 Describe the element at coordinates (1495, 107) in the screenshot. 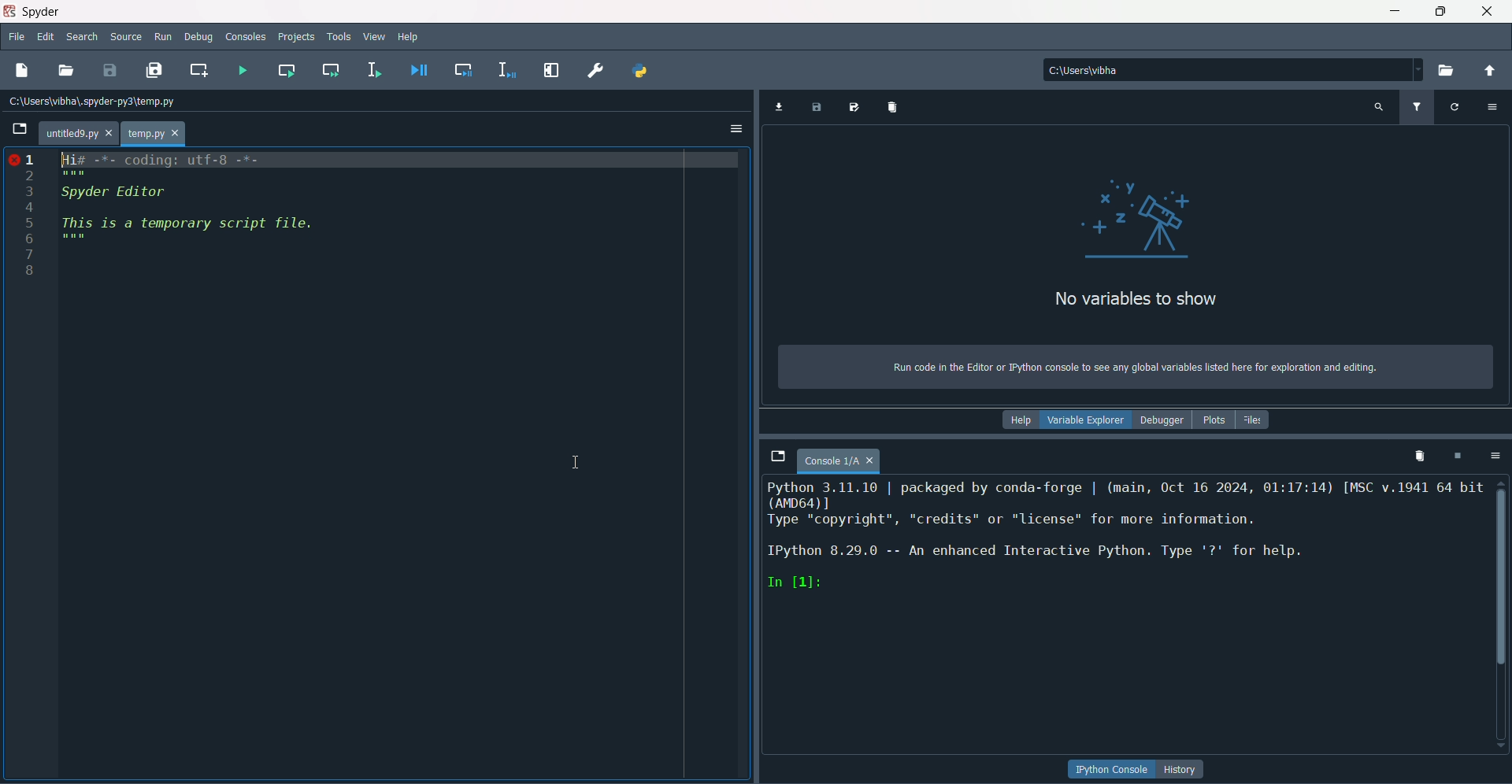

I see `options` at that location.